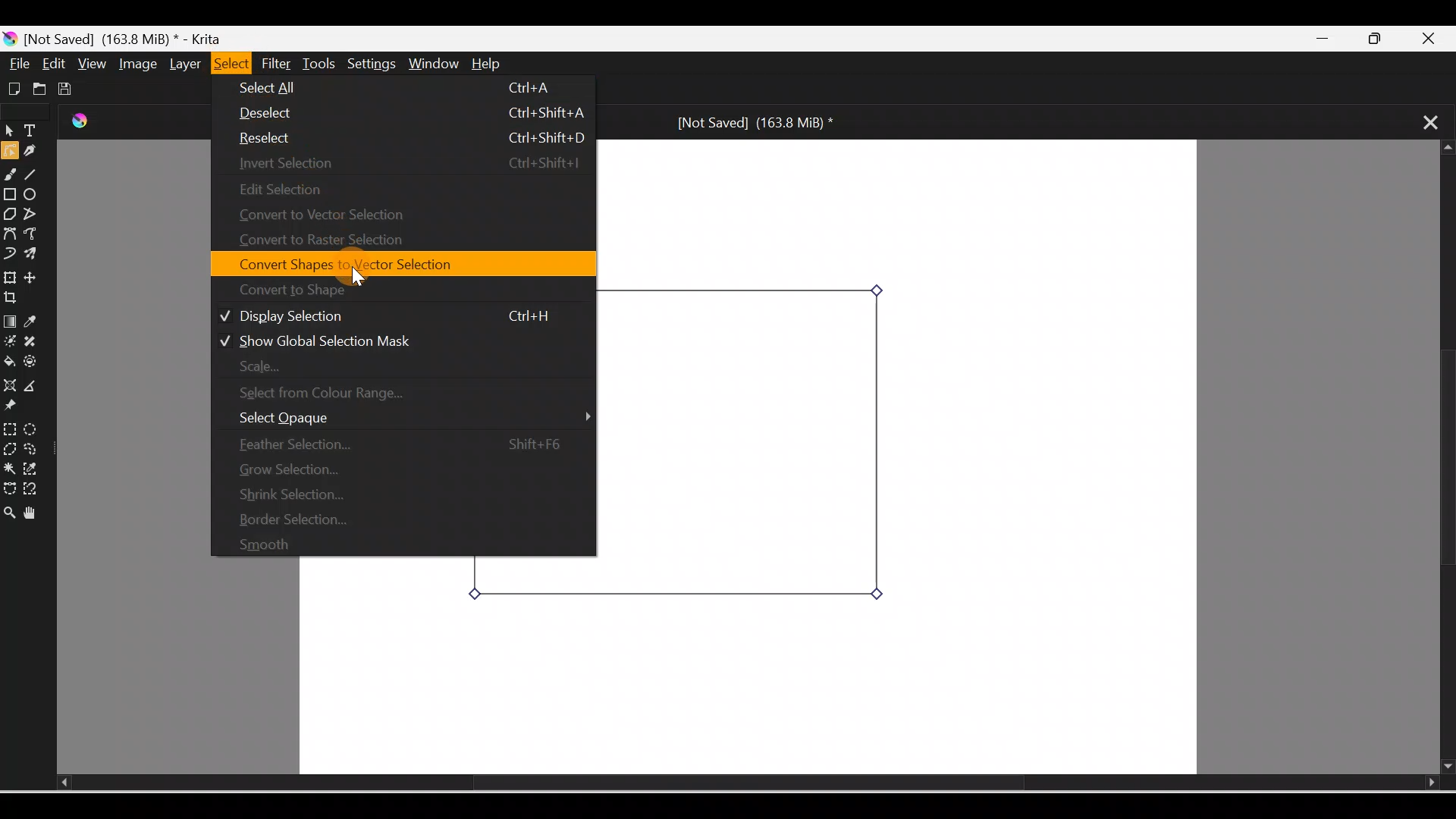  Describe the element at coordinates (121, 37) in the screenshot. I see `[Not Saved] (171.2 MiB) * - Krita` at that location.